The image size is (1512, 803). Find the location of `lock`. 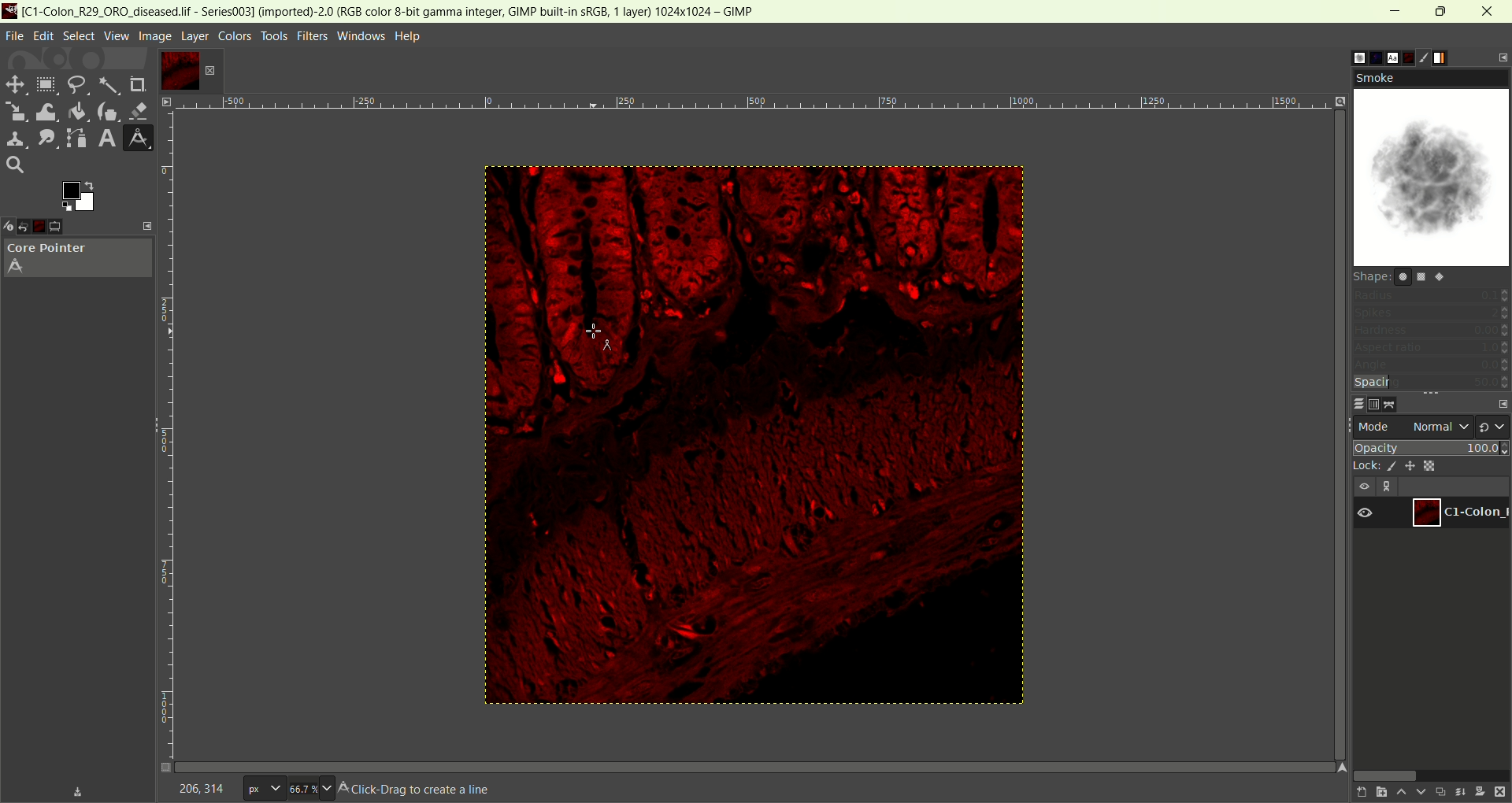

lock is located at coordinates (1363, 467).